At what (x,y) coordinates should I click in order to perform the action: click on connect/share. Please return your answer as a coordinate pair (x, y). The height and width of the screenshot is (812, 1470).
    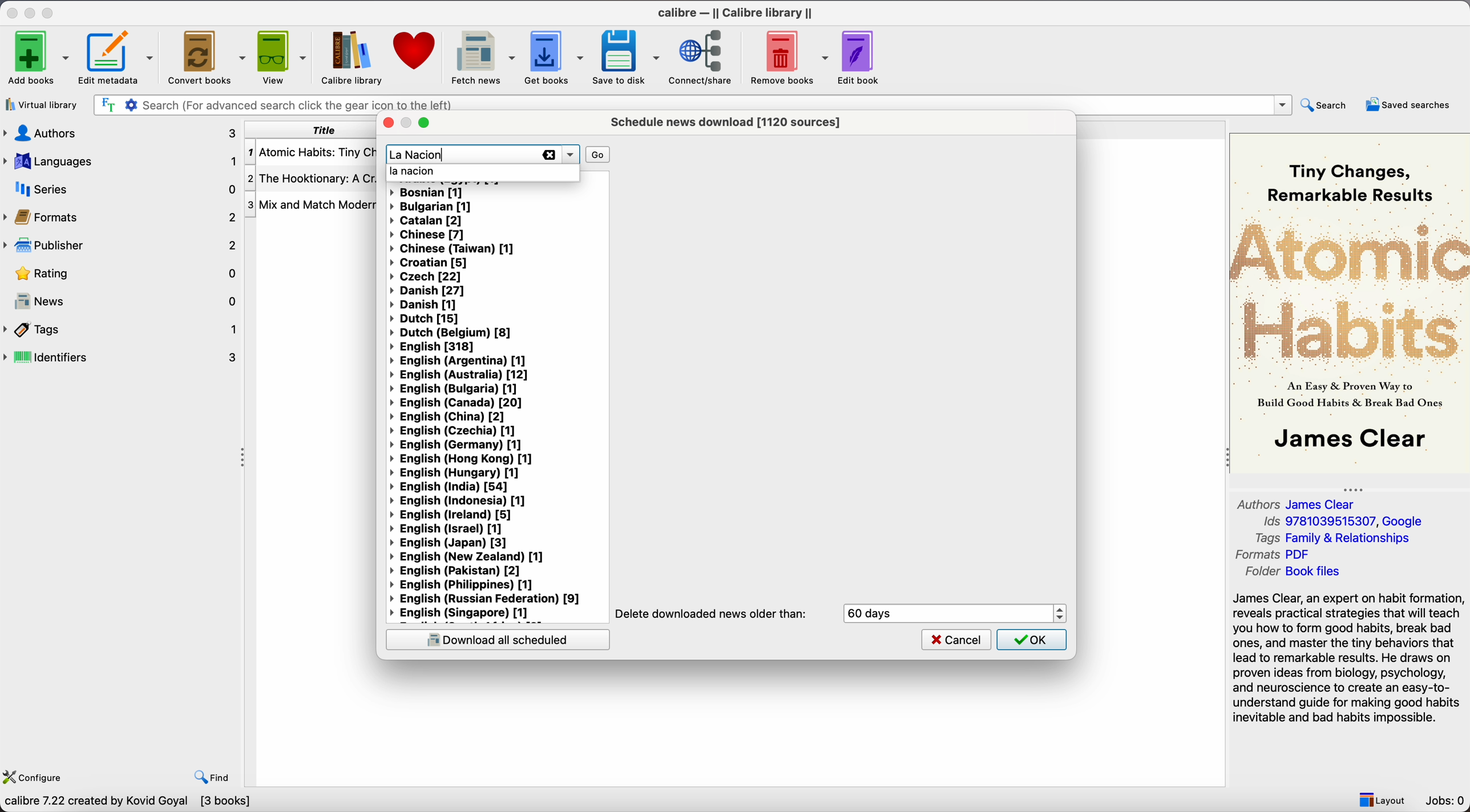
    Looking at the image, I should click on (704, 56).